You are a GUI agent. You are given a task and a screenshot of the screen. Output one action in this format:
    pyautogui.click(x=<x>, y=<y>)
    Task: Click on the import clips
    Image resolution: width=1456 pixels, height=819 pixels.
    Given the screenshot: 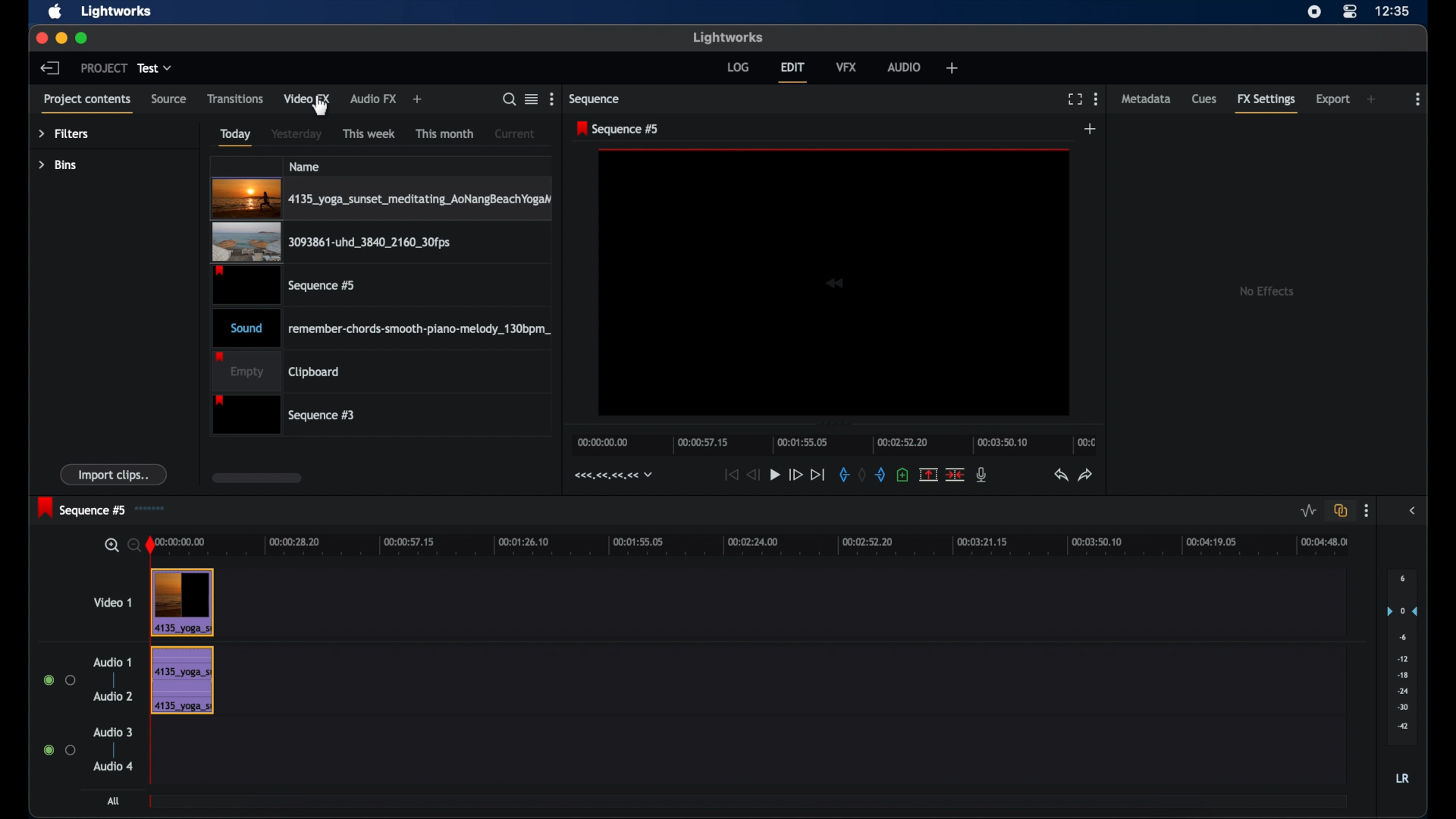 What is the action you would take?
    pyautogui.click(x=113, y=475)
    